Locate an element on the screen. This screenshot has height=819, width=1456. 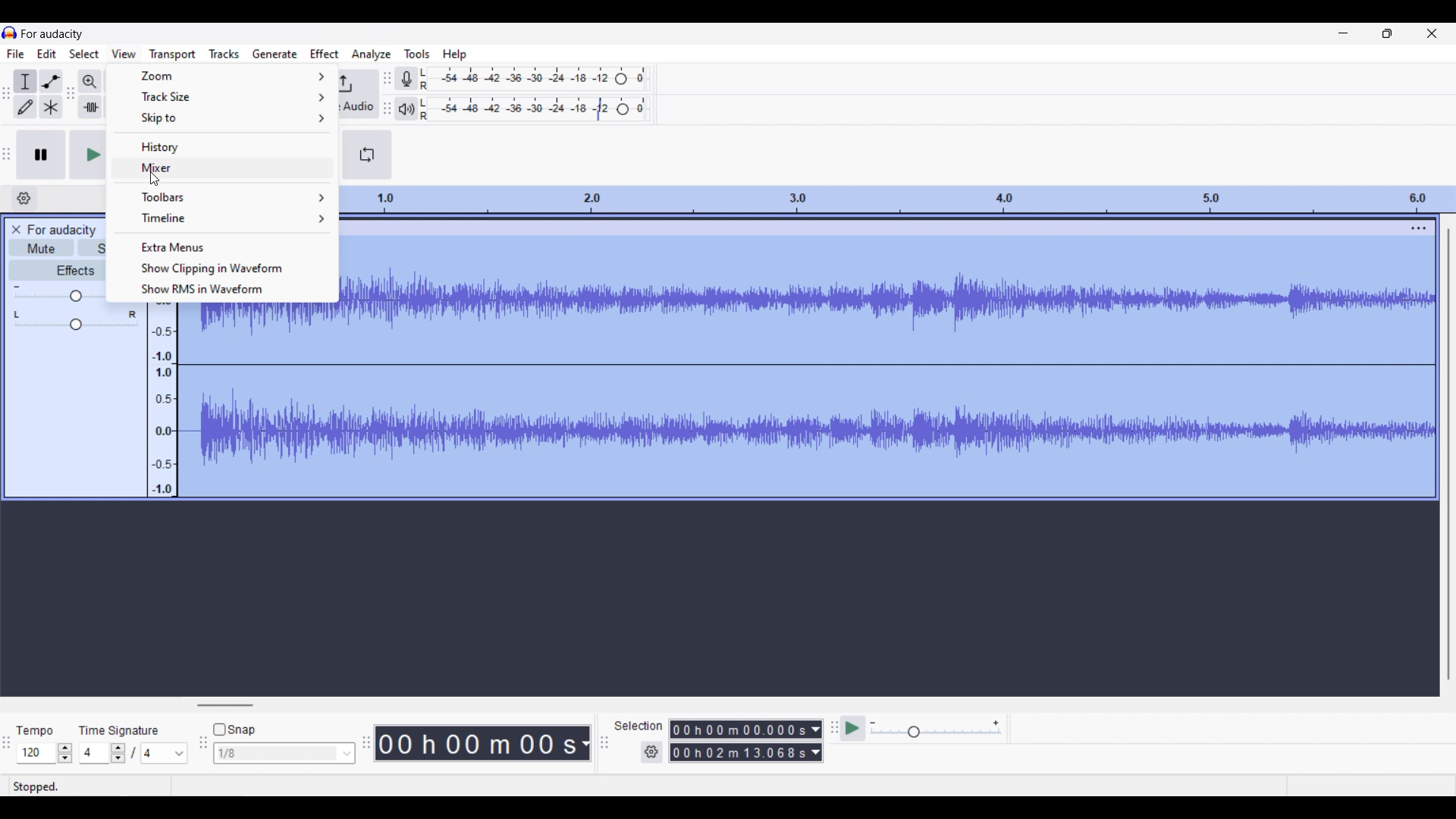
Zoom options is located at coordinates (223, 76).